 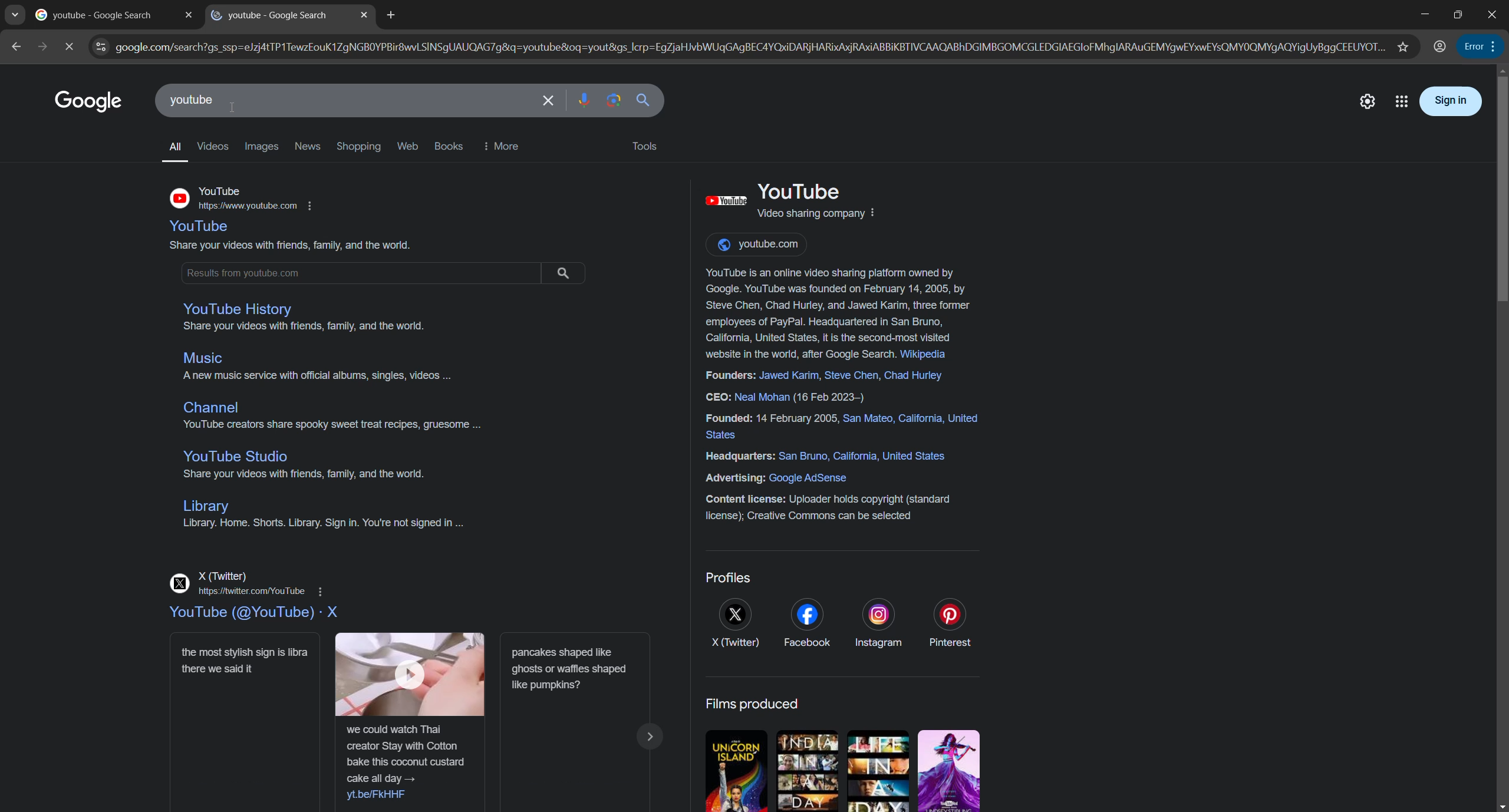 What do you see at coordinates (1492, 47) in the screenshot?
I see `customize chromium` at bounding box center [1492, 47].